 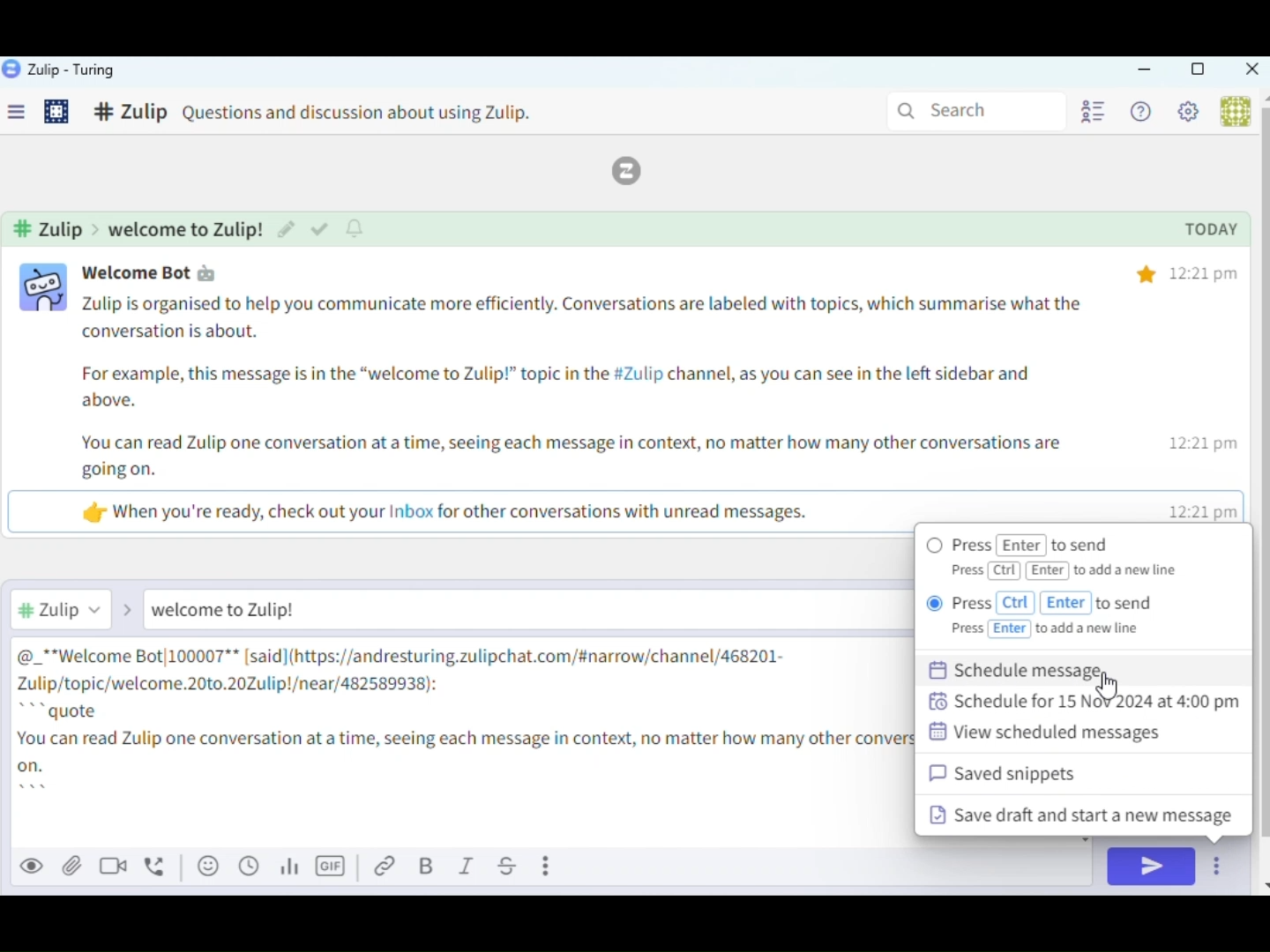 What do you see at coordinates (637, 171) in the screenshot?
I see `Zulip` at bounding box center [637, 171].